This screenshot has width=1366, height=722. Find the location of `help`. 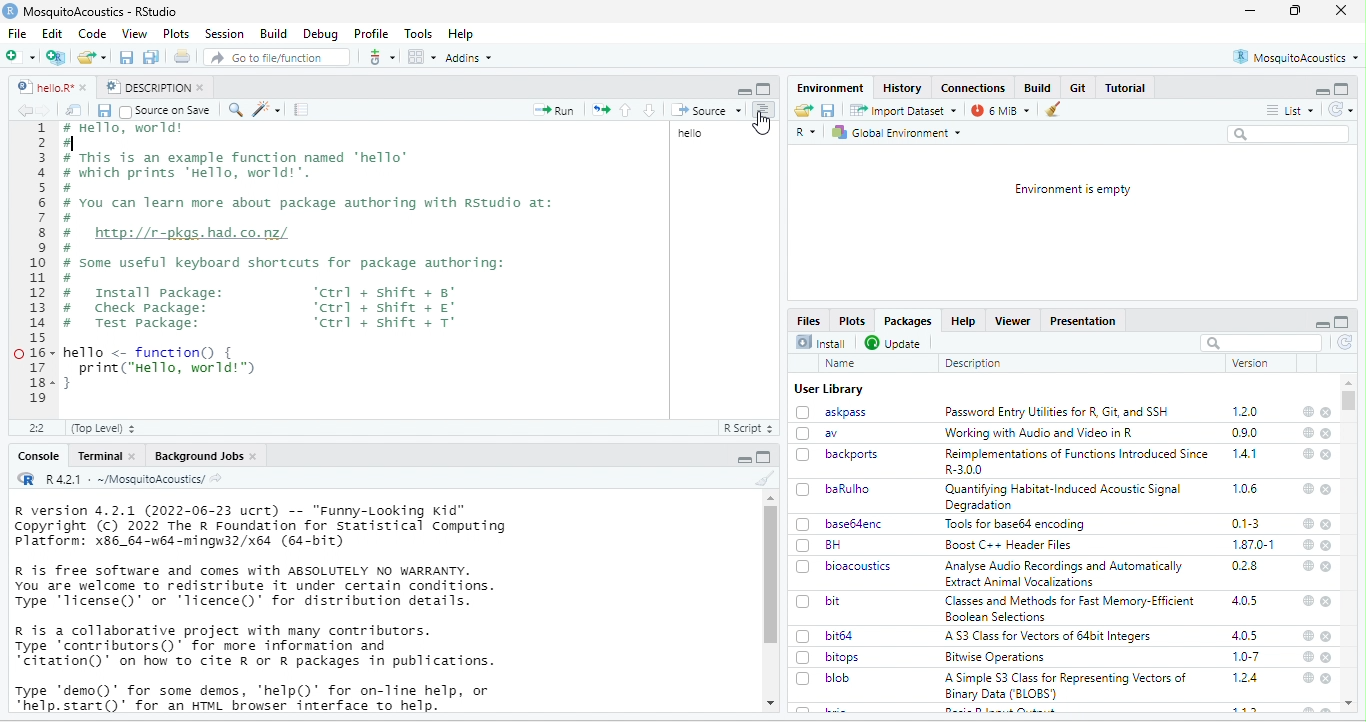

help is located at coordinates (1308, 637).